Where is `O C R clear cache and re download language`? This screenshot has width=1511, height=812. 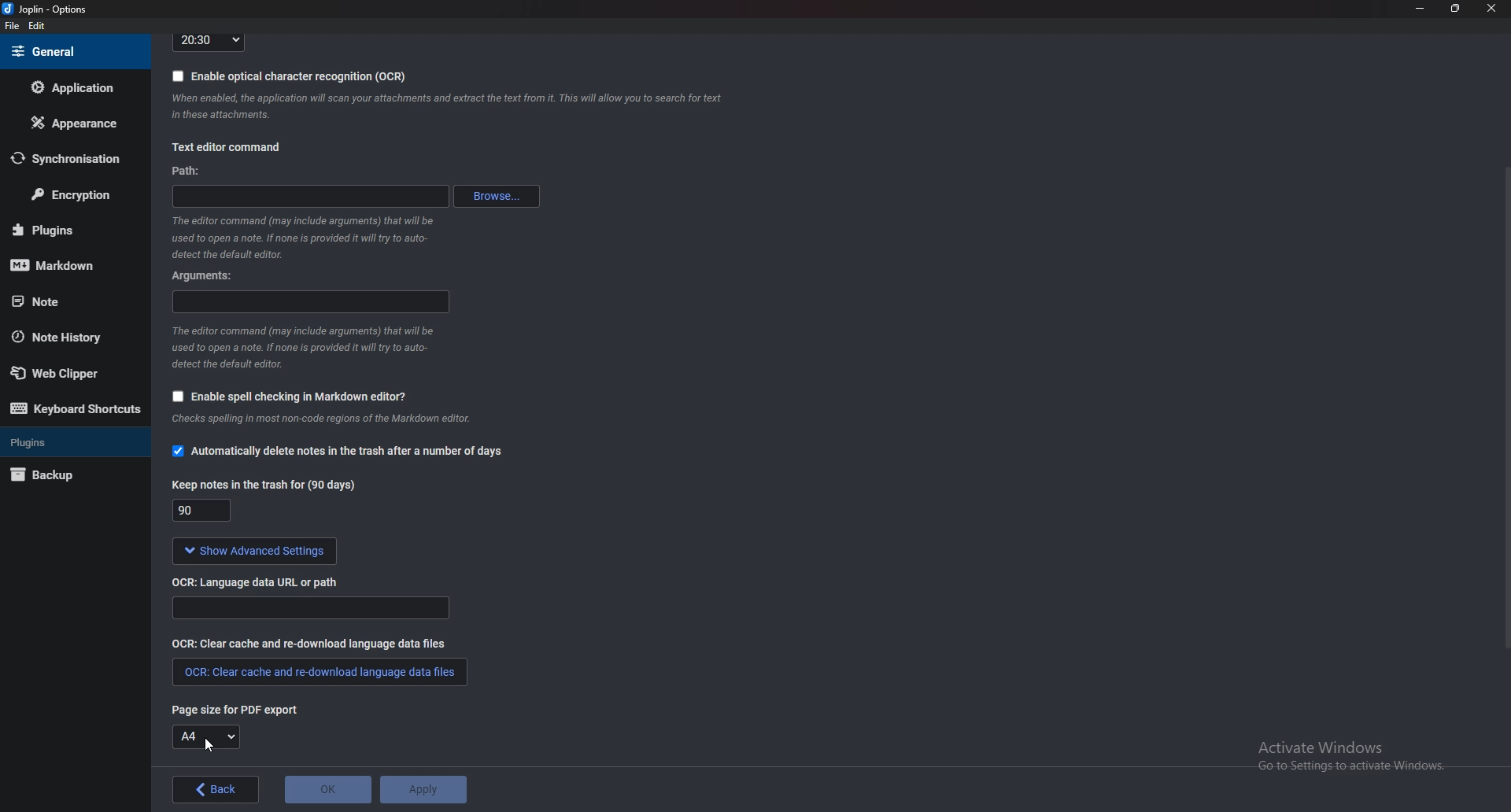 O C R clear cache and re download language is located at coordinates (312, 643).